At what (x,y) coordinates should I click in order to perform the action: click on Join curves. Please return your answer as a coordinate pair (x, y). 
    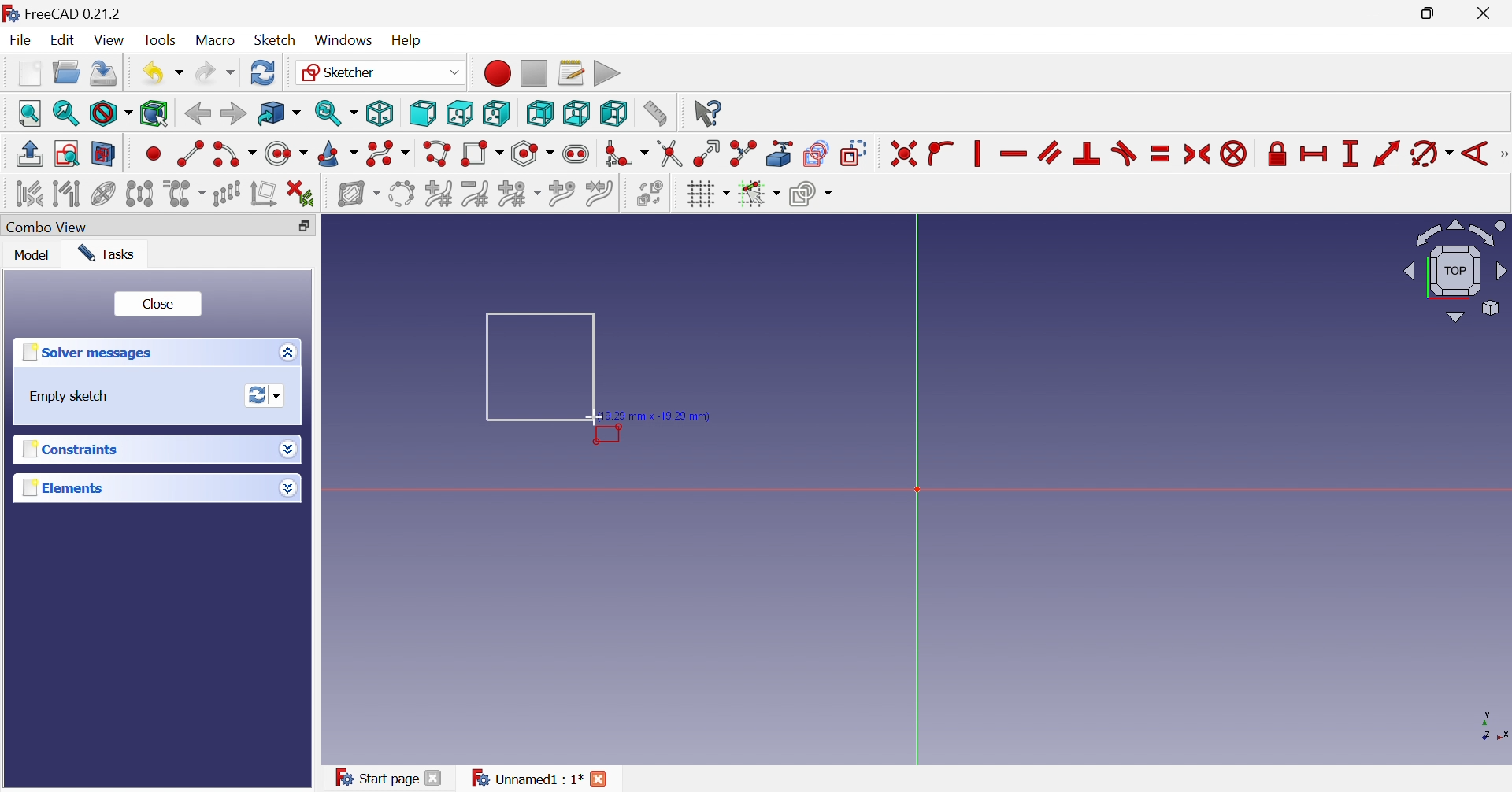
    Looking at the image, I should click on (599, 194).